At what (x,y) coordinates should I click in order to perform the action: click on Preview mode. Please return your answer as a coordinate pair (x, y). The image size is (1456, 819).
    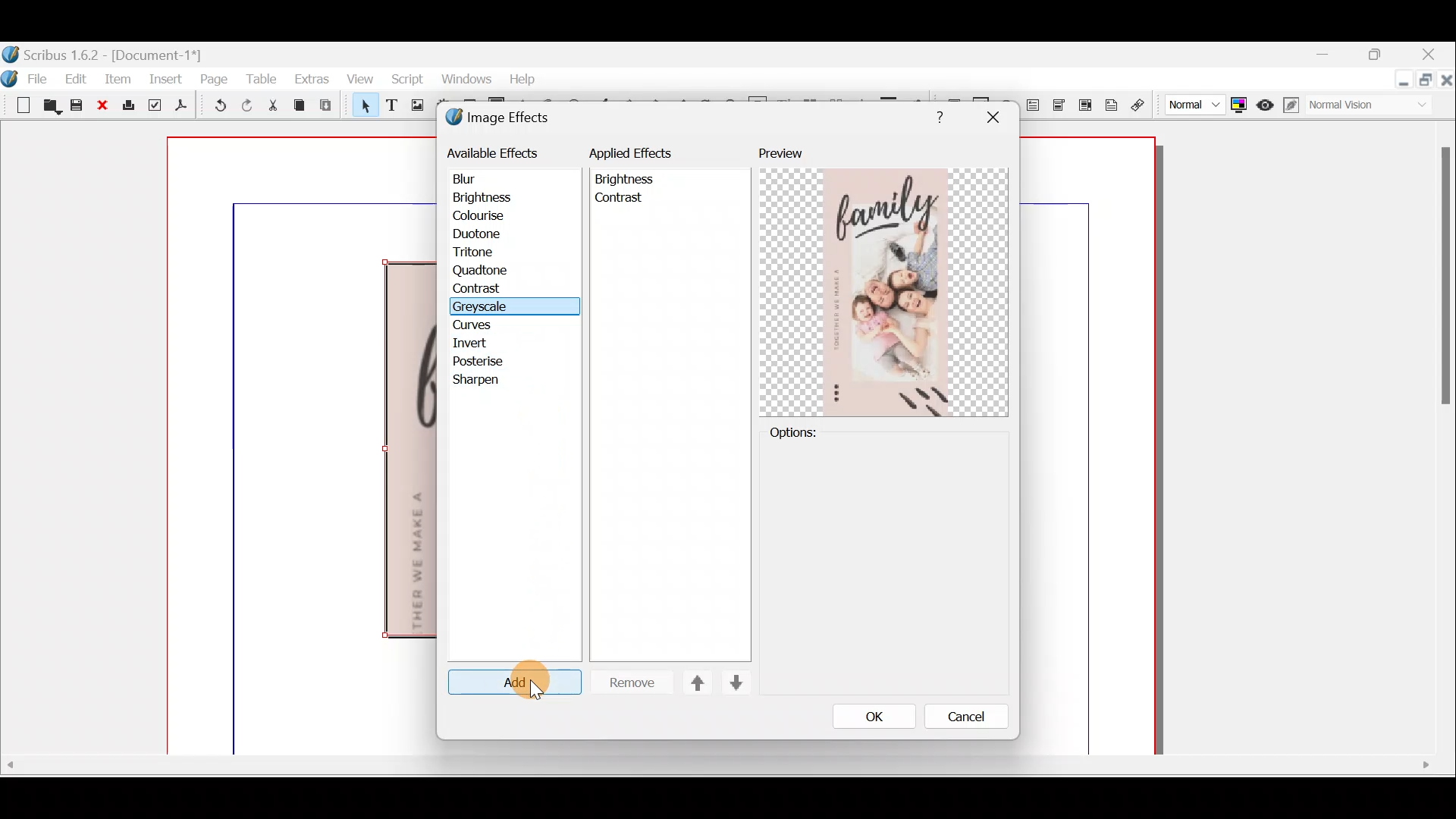
    Looking at the image, I should click on (1262, 102).